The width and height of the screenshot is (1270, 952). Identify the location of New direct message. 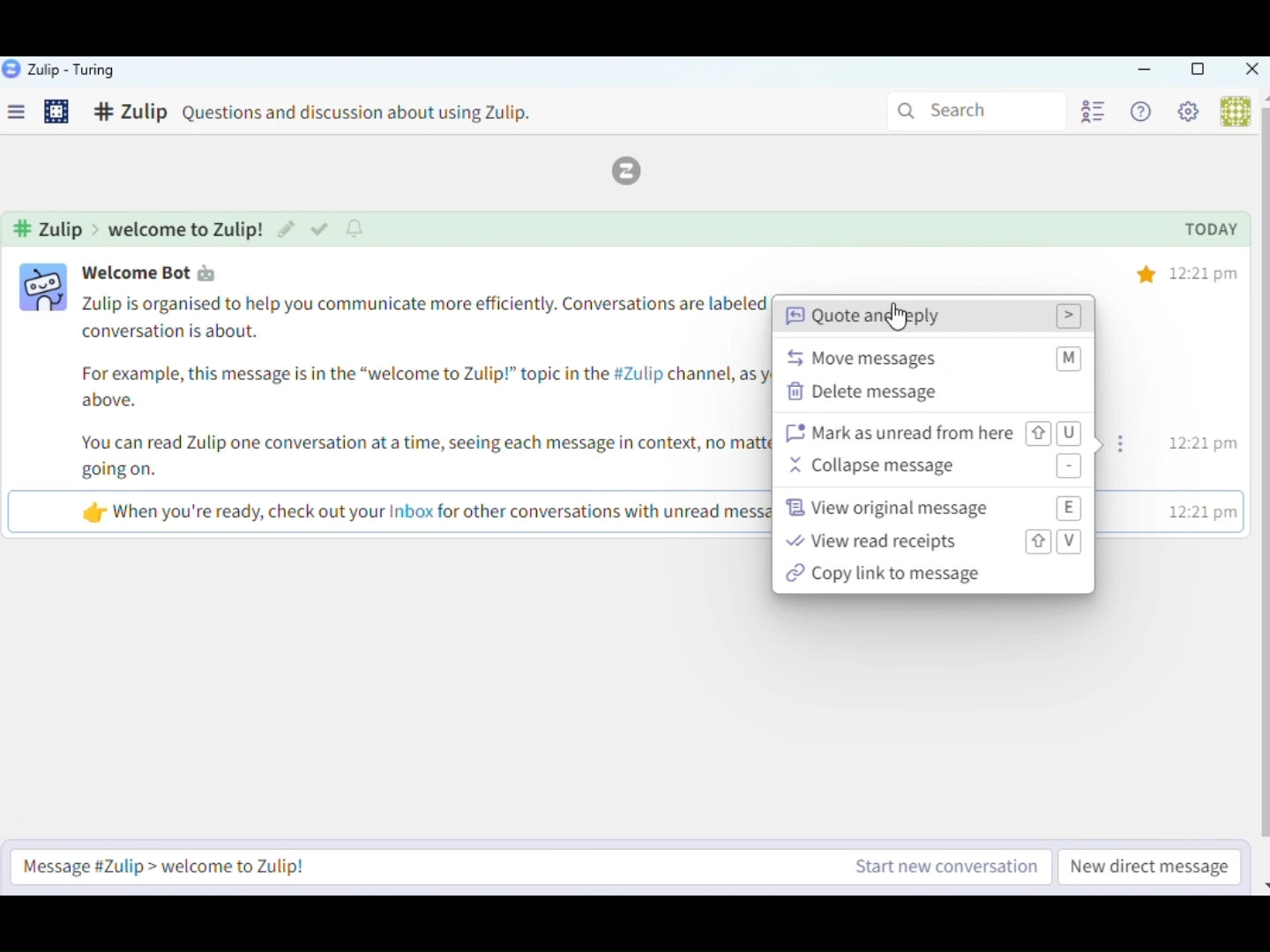
(1149, 866).